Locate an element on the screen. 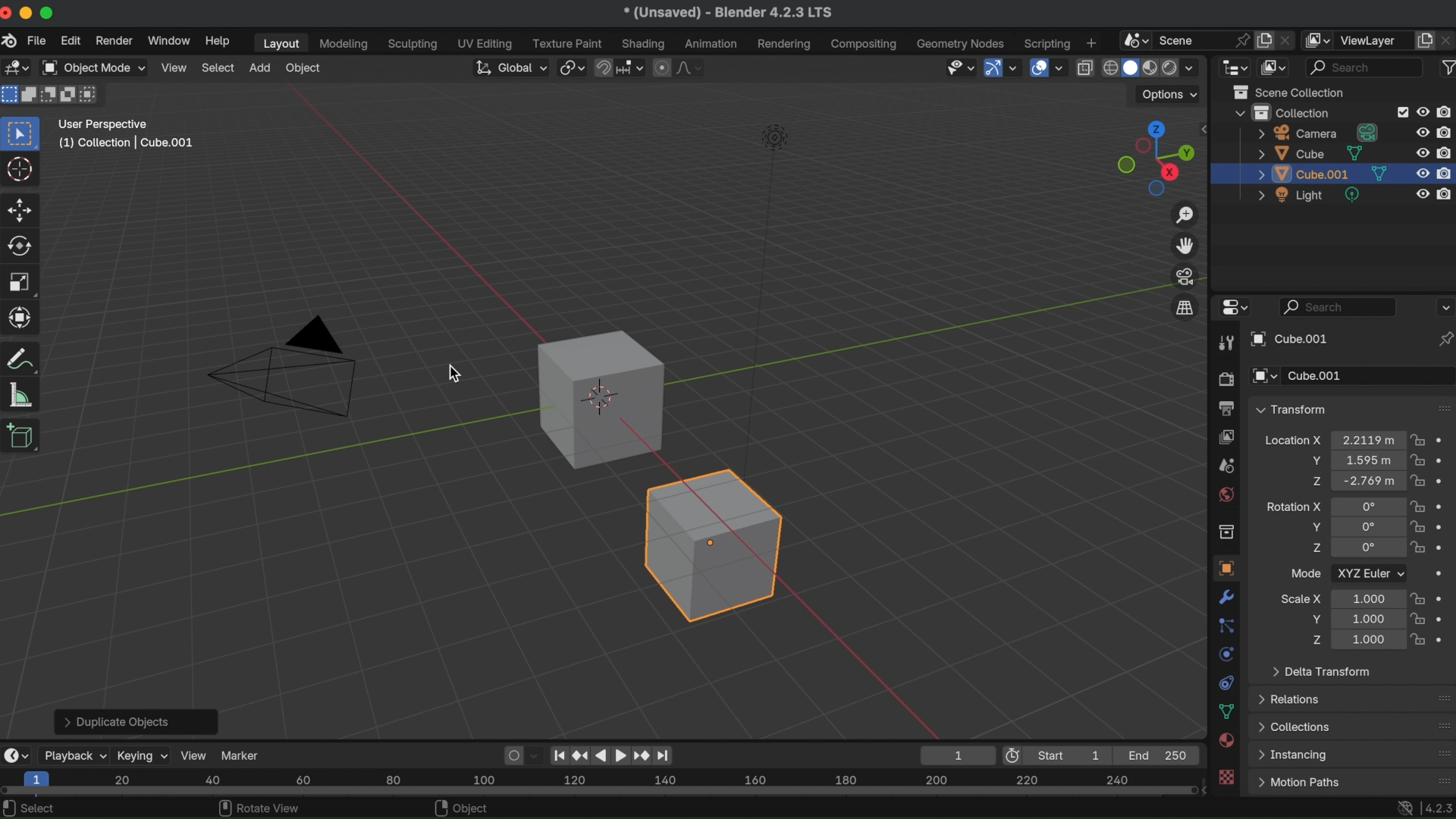  material is located at coordinates (1227, 742).